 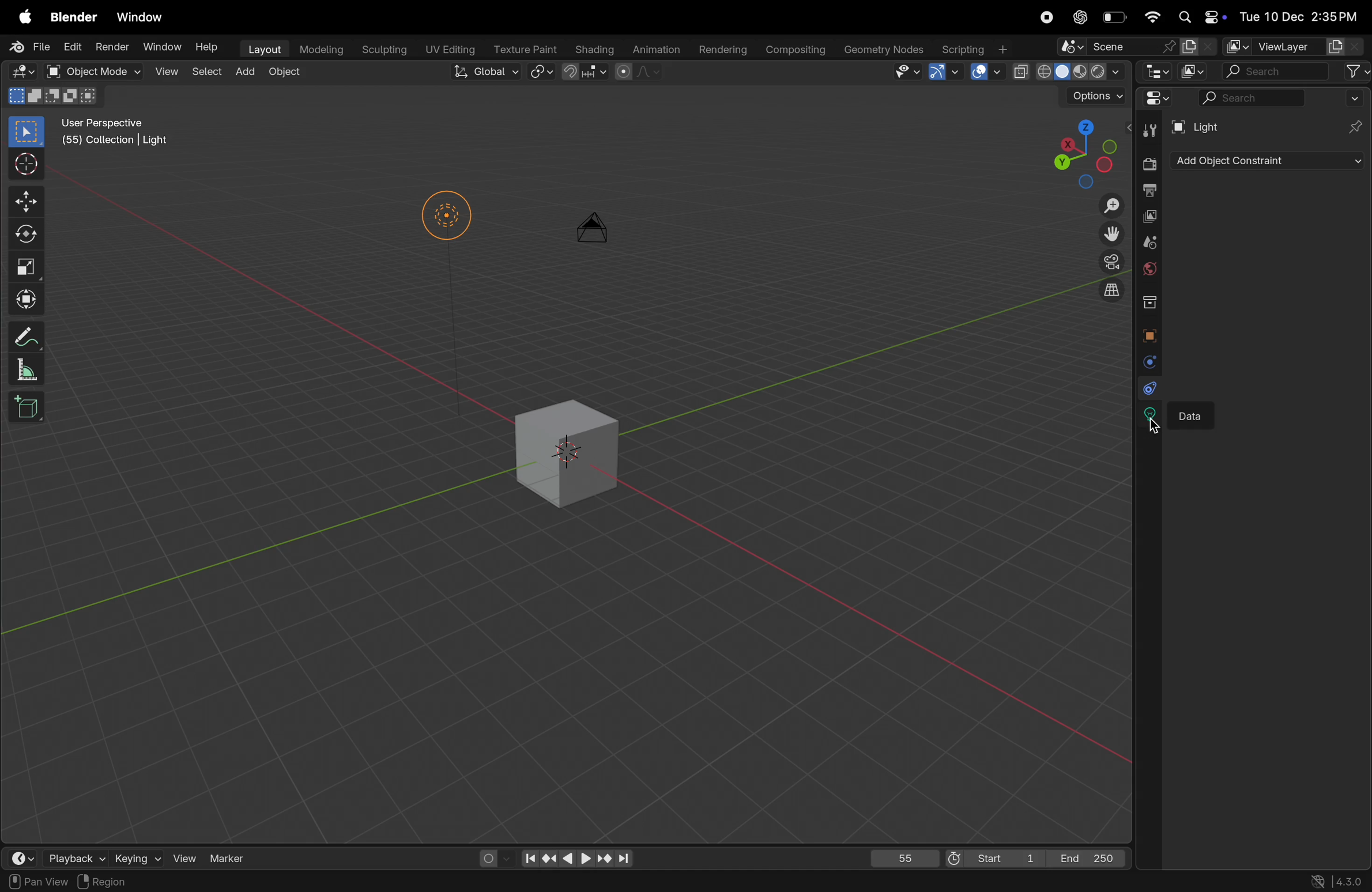 I want to click on modelling, so click(x=321, y=50).